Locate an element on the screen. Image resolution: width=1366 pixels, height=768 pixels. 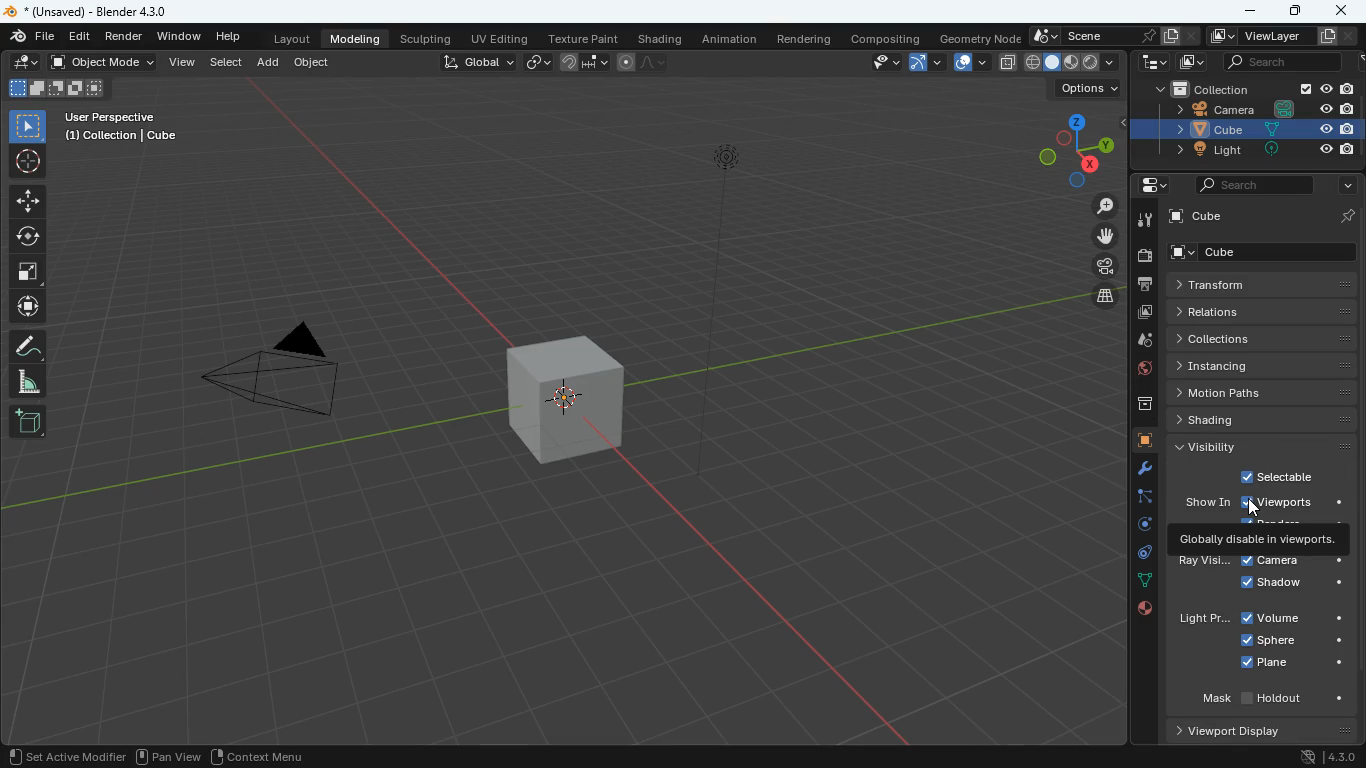
twist is located at coordinates (28, 238).